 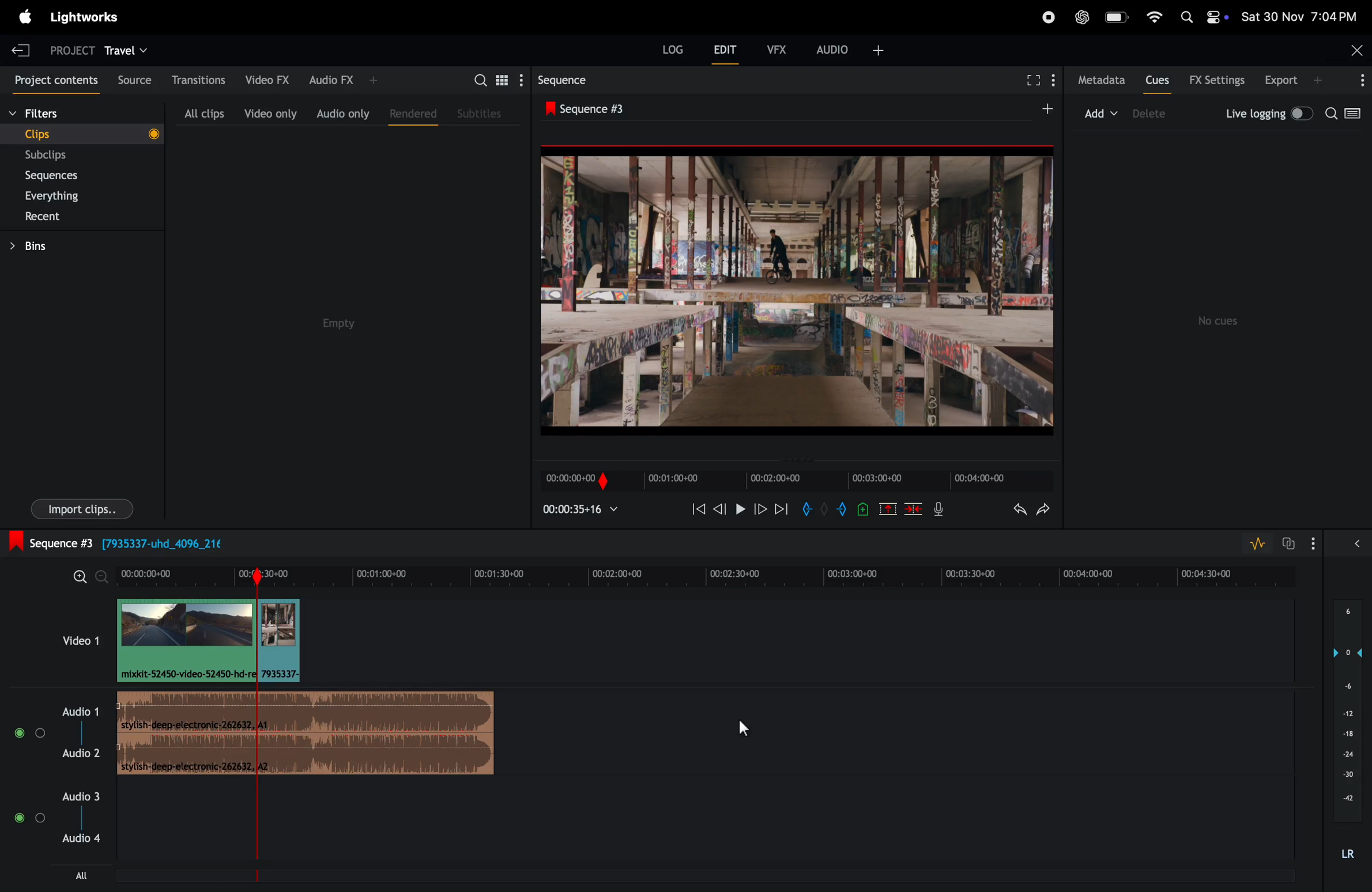 I want to click on LR, so click(x=1345, y=854).